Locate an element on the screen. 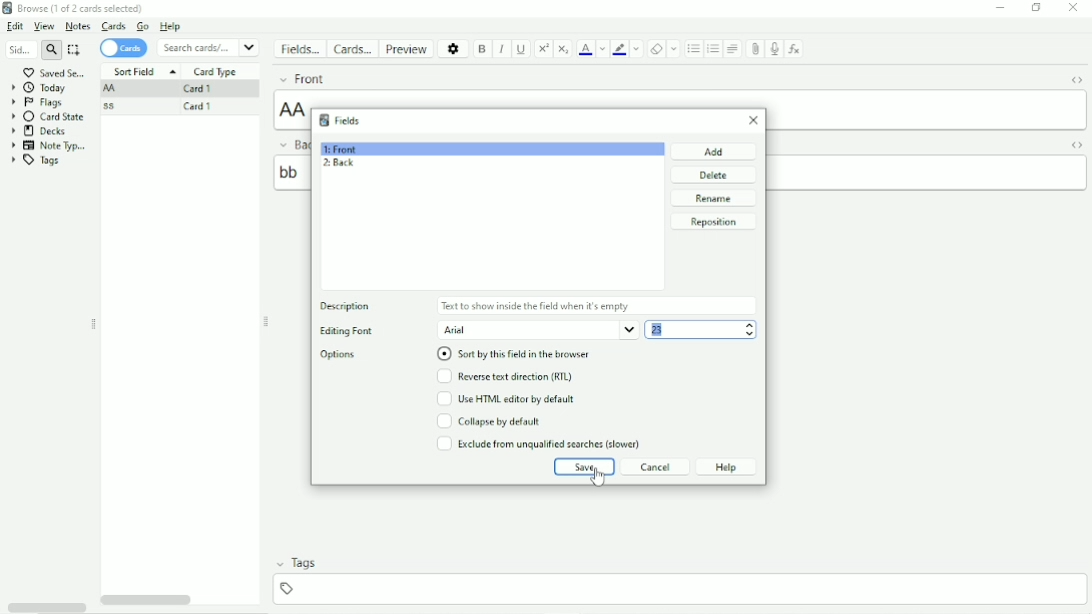 Image resolution: width=1092 pixels, height=614 pixels. Back is located at coordinates (291, 144).